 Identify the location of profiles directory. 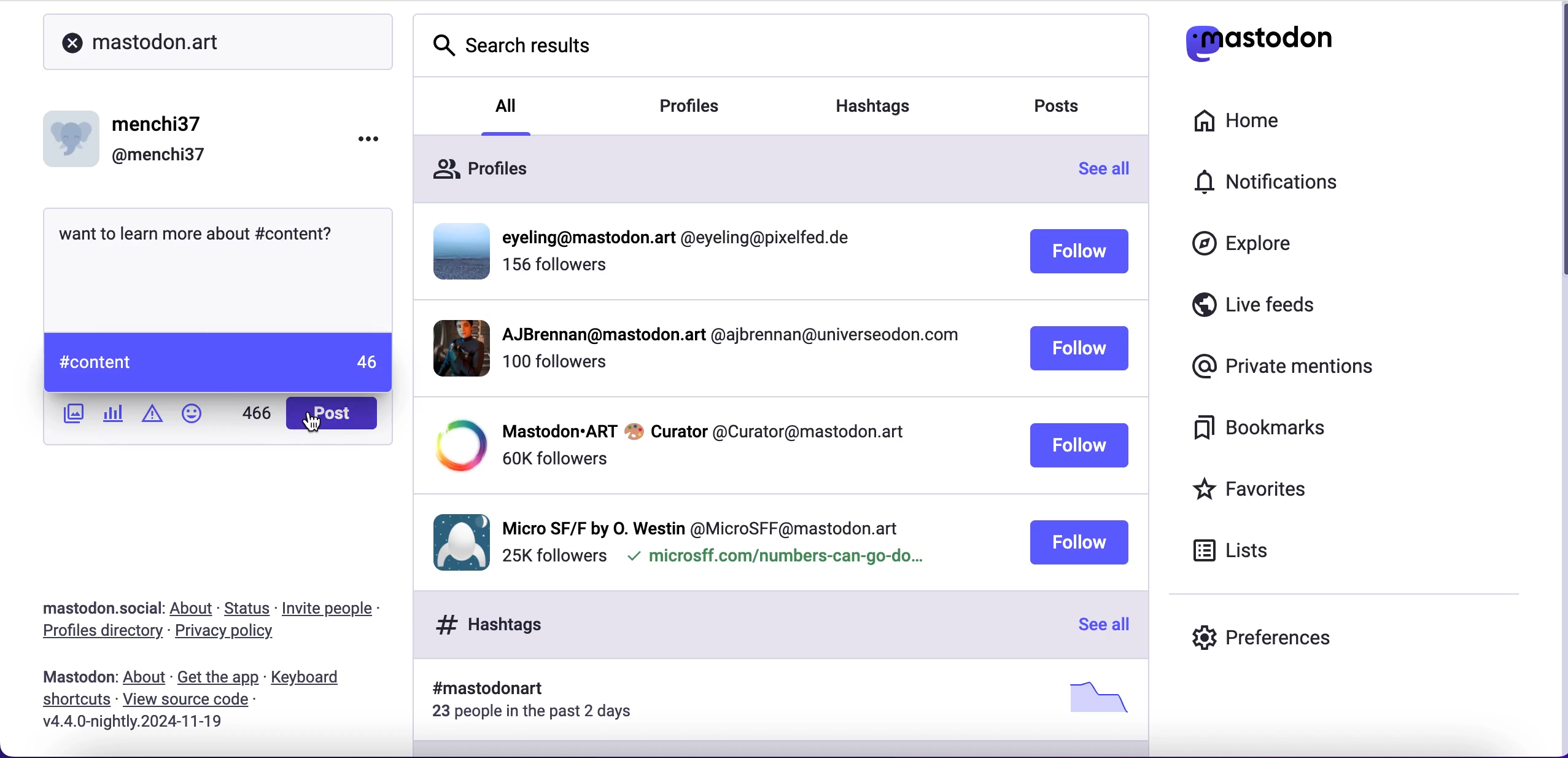
(98, 633).